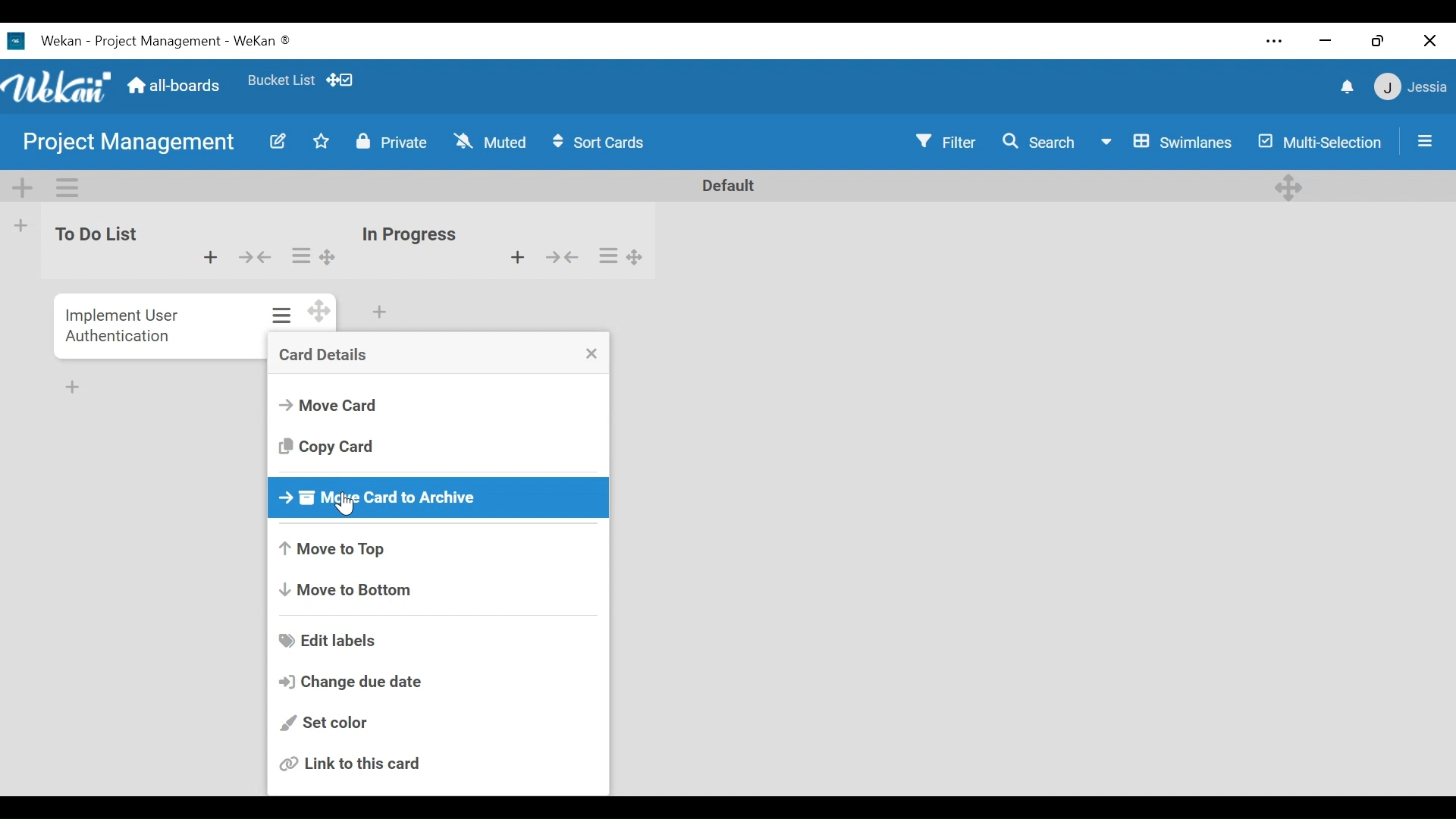  I want to click on inn progress, so click(410, 228).